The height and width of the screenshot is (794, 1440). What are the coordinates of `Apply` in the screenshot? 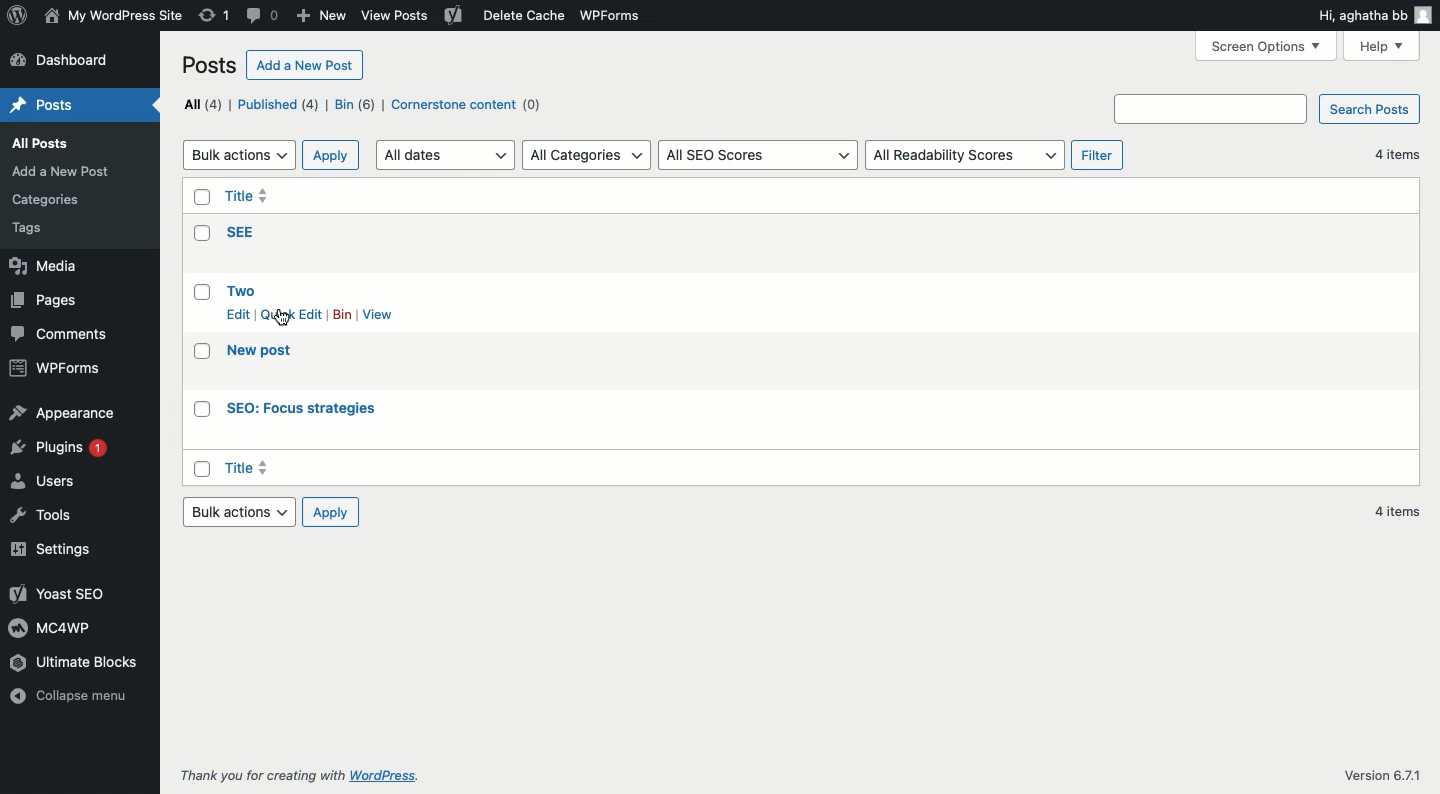 It's located at (328, 514).